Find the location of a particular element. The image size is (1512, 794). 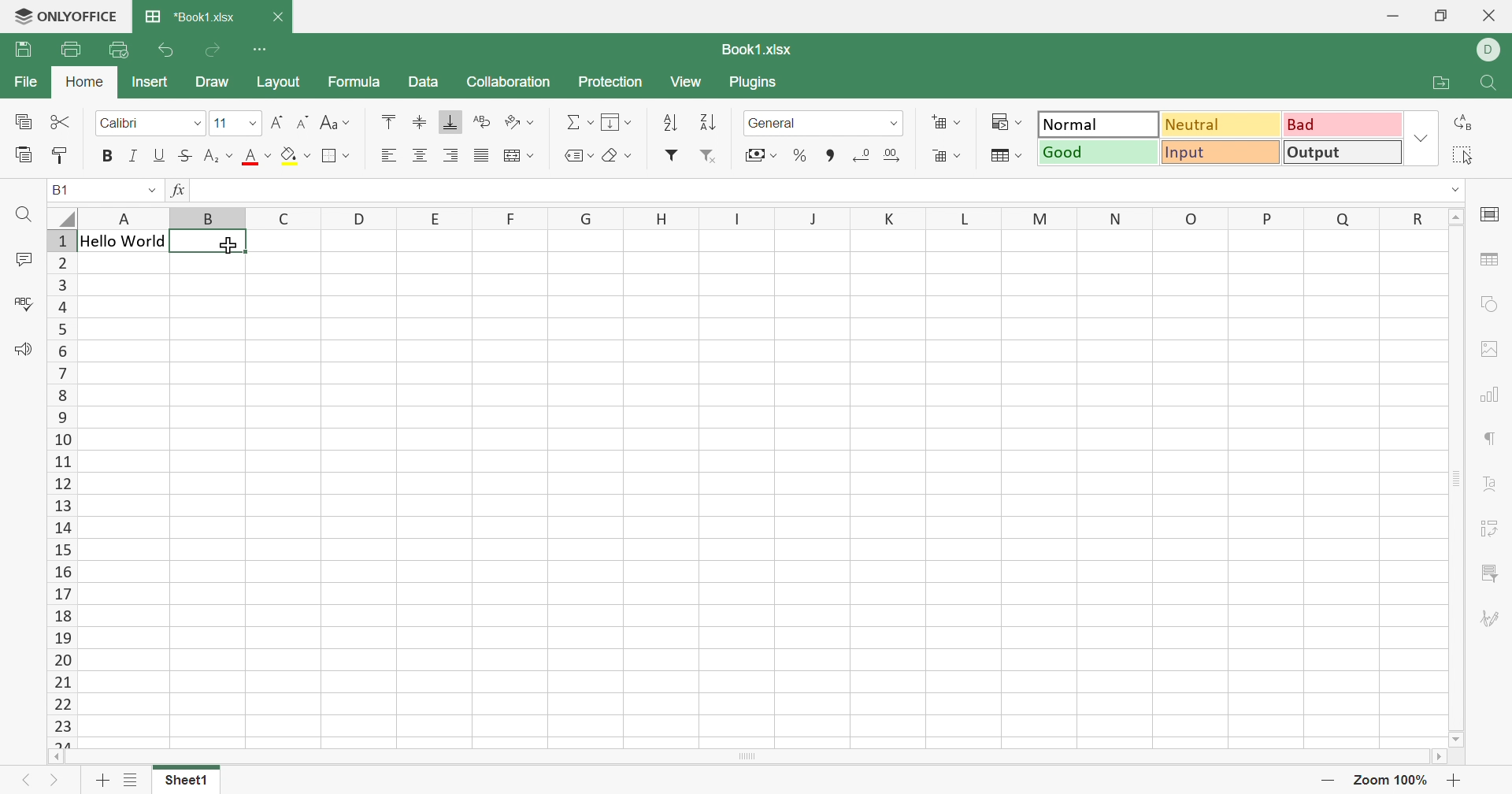

Justified is located at coordinates (482, 155).